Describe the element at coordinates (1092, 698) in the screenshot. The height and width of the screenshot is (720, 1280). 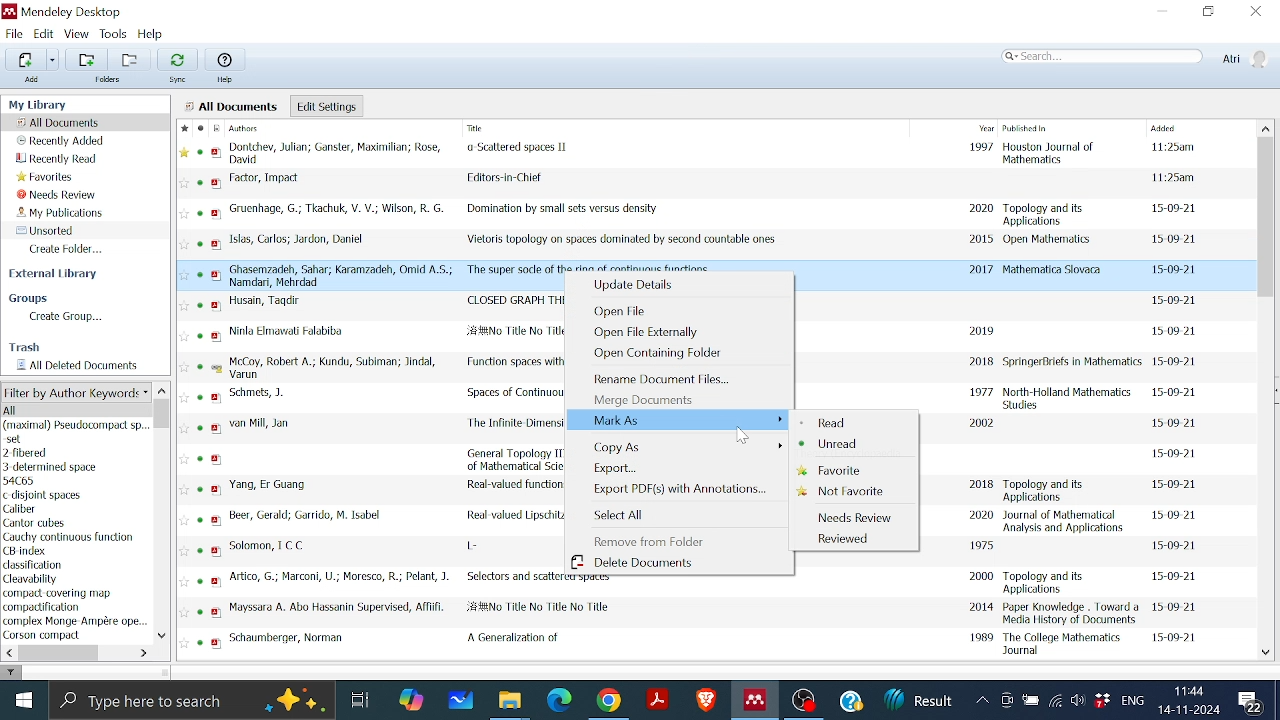
I see `Dropbox` at that location.